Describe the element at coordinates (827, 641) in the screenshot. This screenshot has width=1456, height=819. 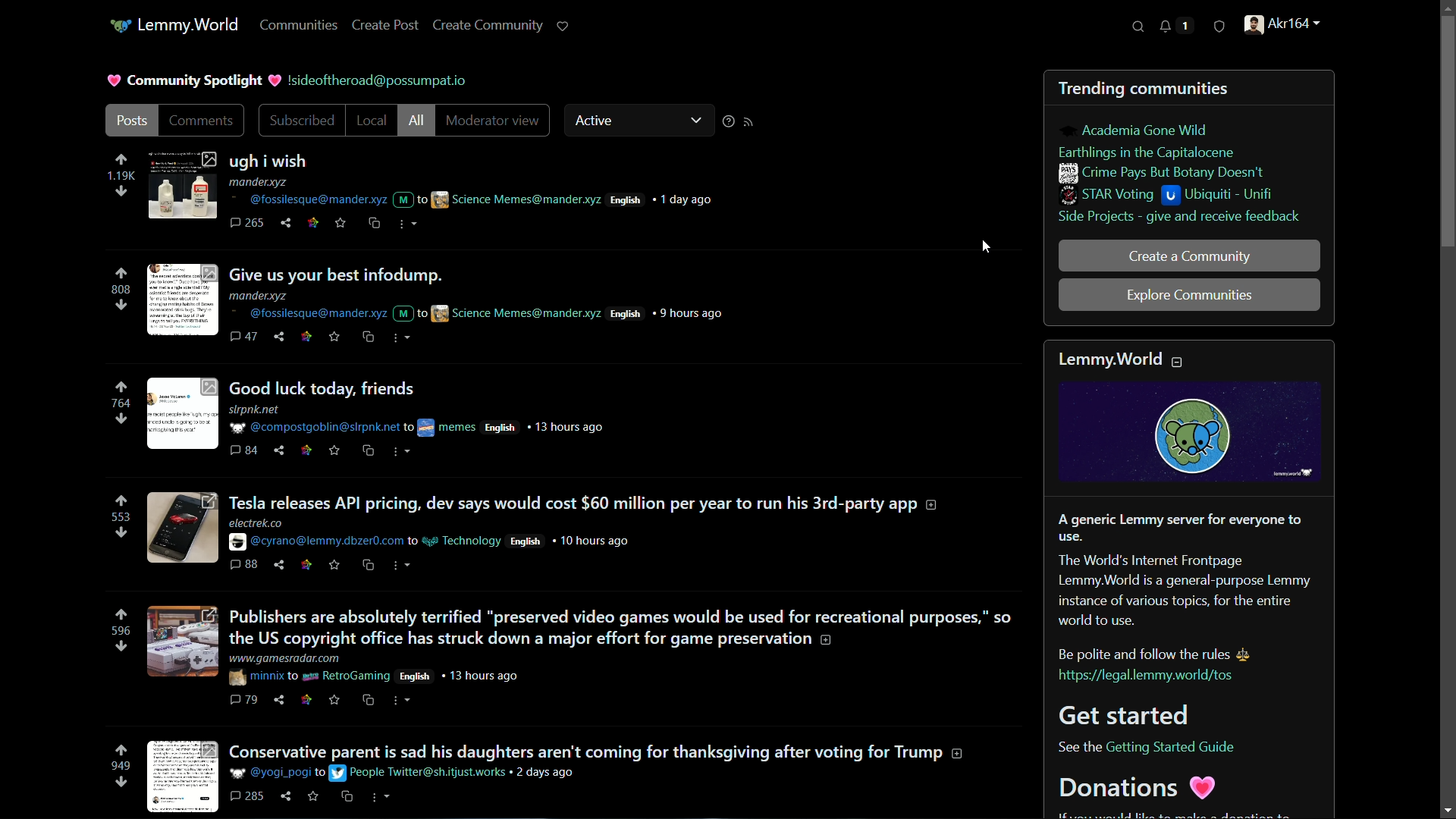
I see `more information` at that location.